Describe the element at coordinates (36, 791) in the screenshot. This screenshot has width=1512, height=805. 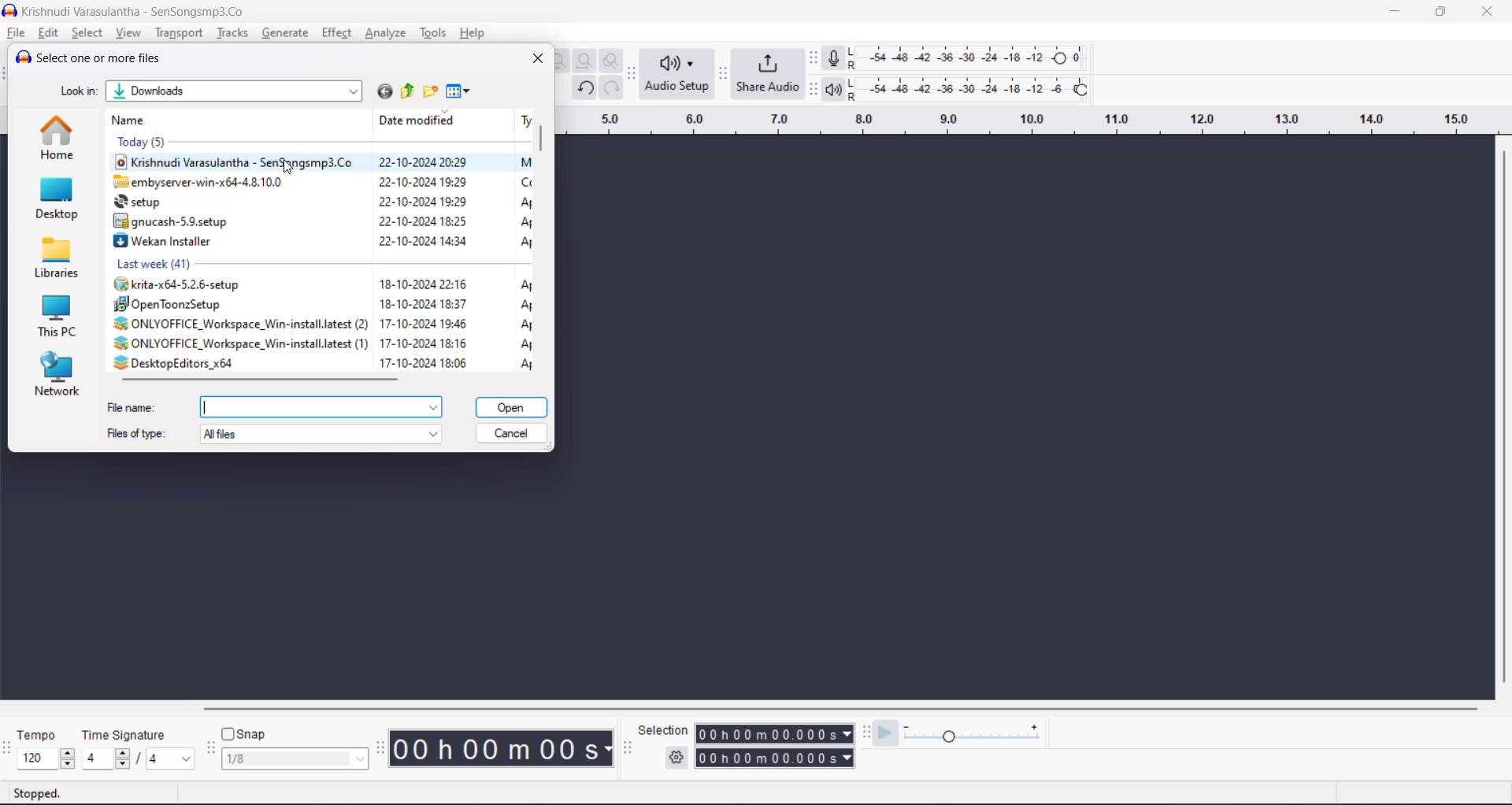
I see `playback status` at that location.